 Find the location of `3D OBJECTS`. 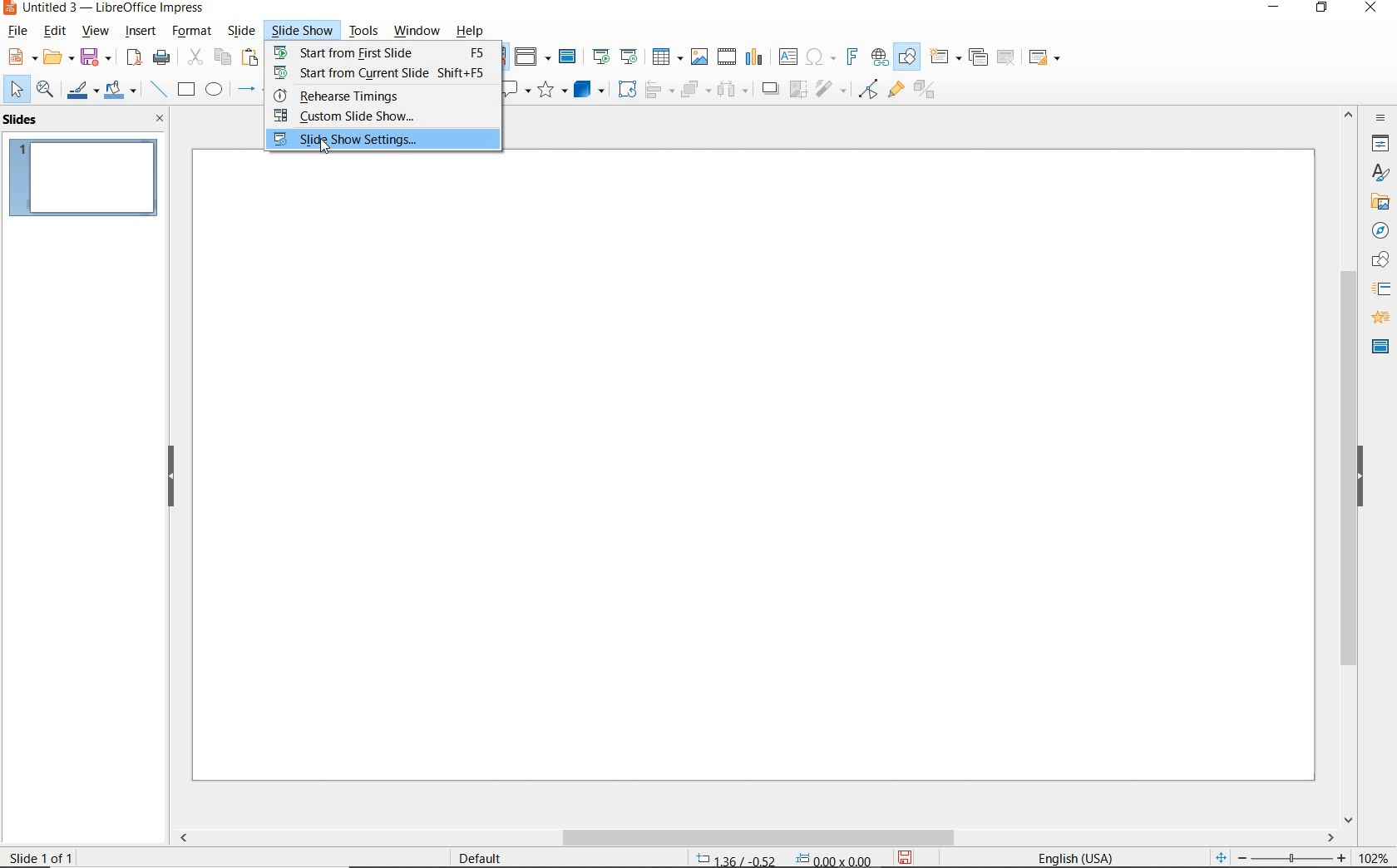

3D OBJECTS is located at coordinates (588, 91).